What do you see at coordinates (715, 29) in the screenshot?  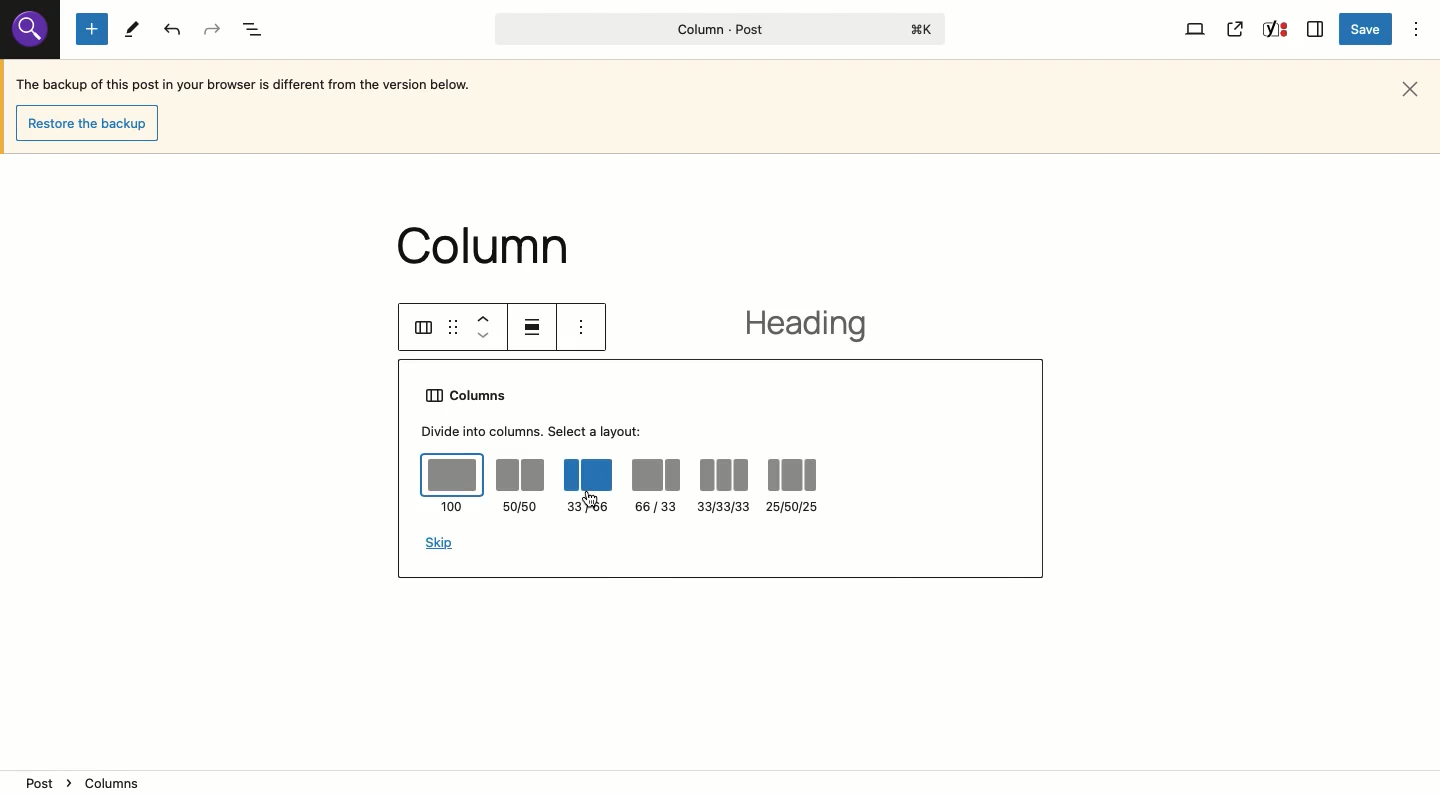 I see `Title` at bounding box center [715, 29].